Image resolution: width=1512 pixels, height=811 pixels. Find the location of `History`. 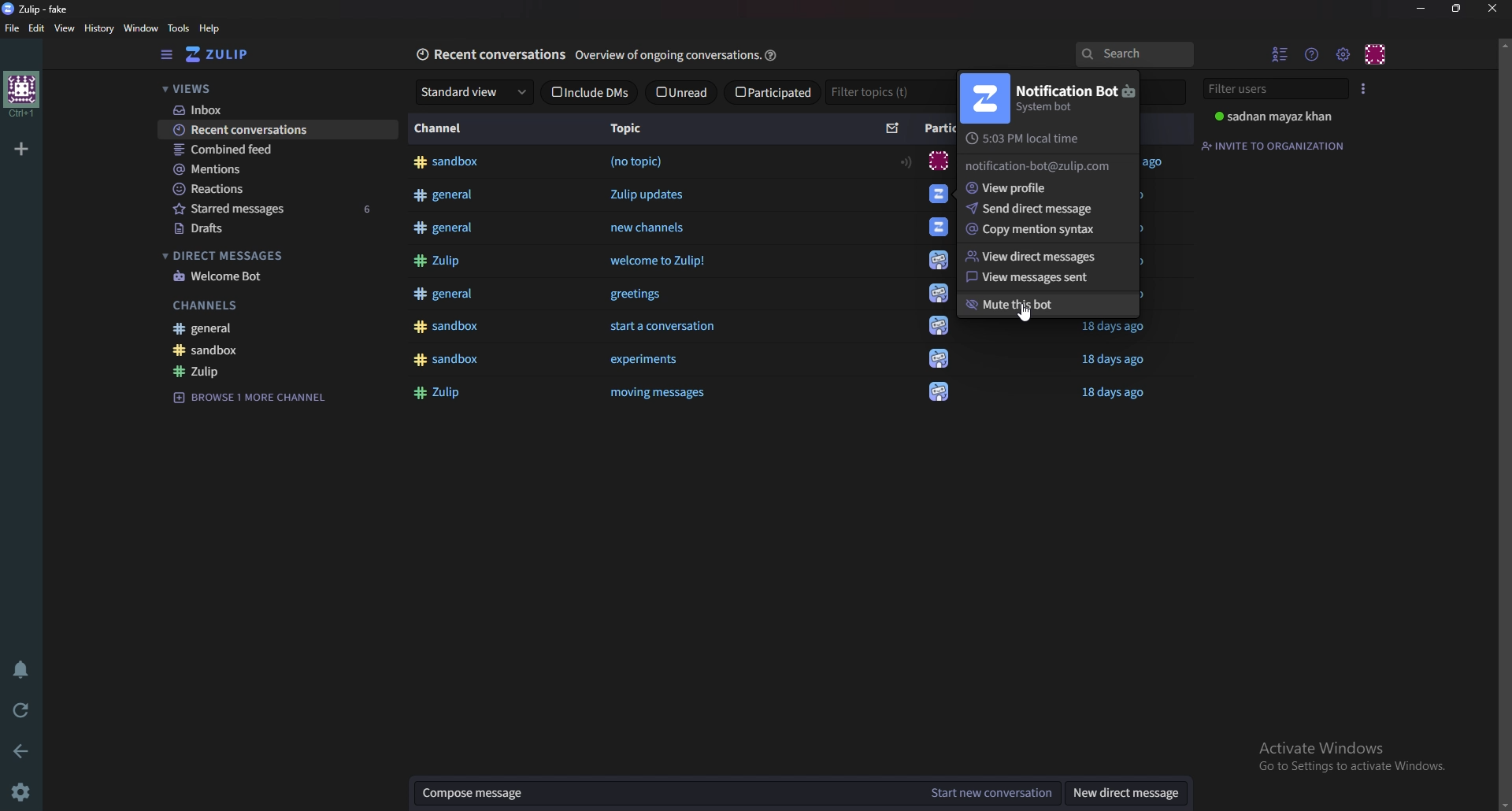

History is located at coordinates (101, 28).